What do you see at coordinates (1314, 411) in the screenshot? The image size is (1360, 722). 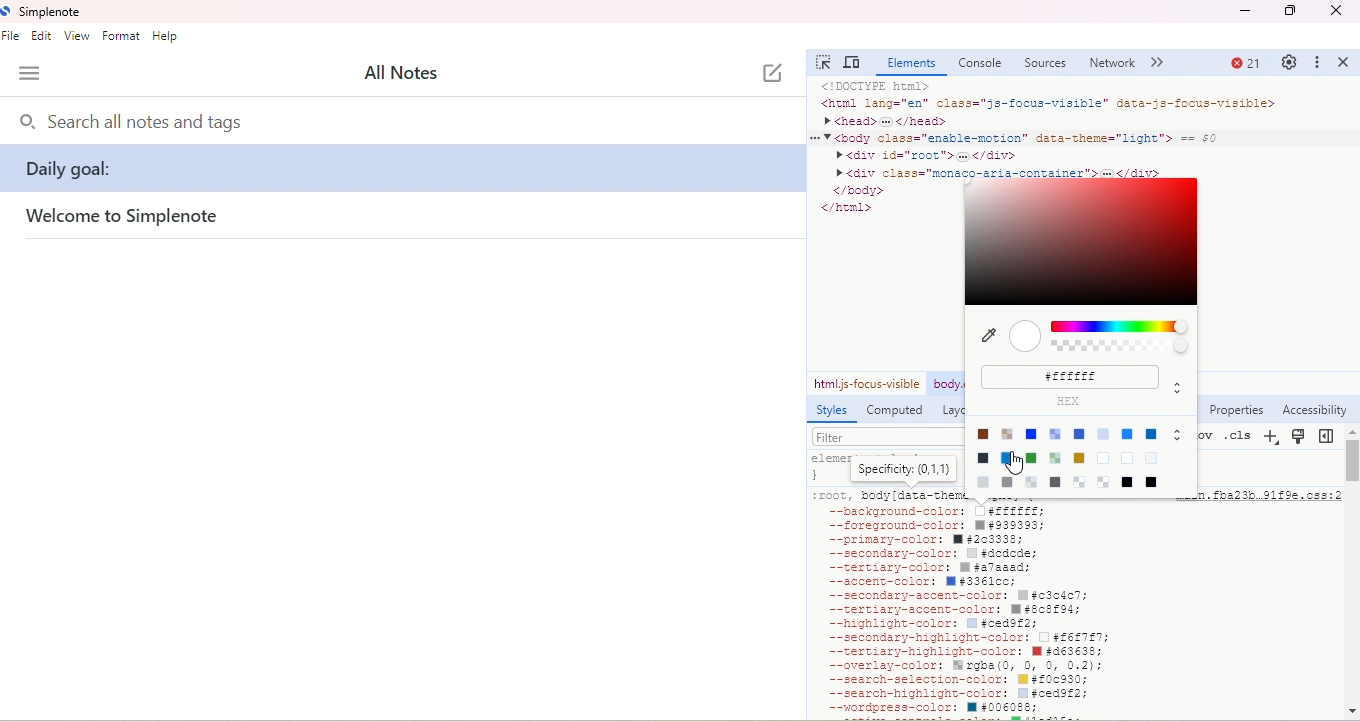 I see `acessibility` at bounding box center [1314, 411].